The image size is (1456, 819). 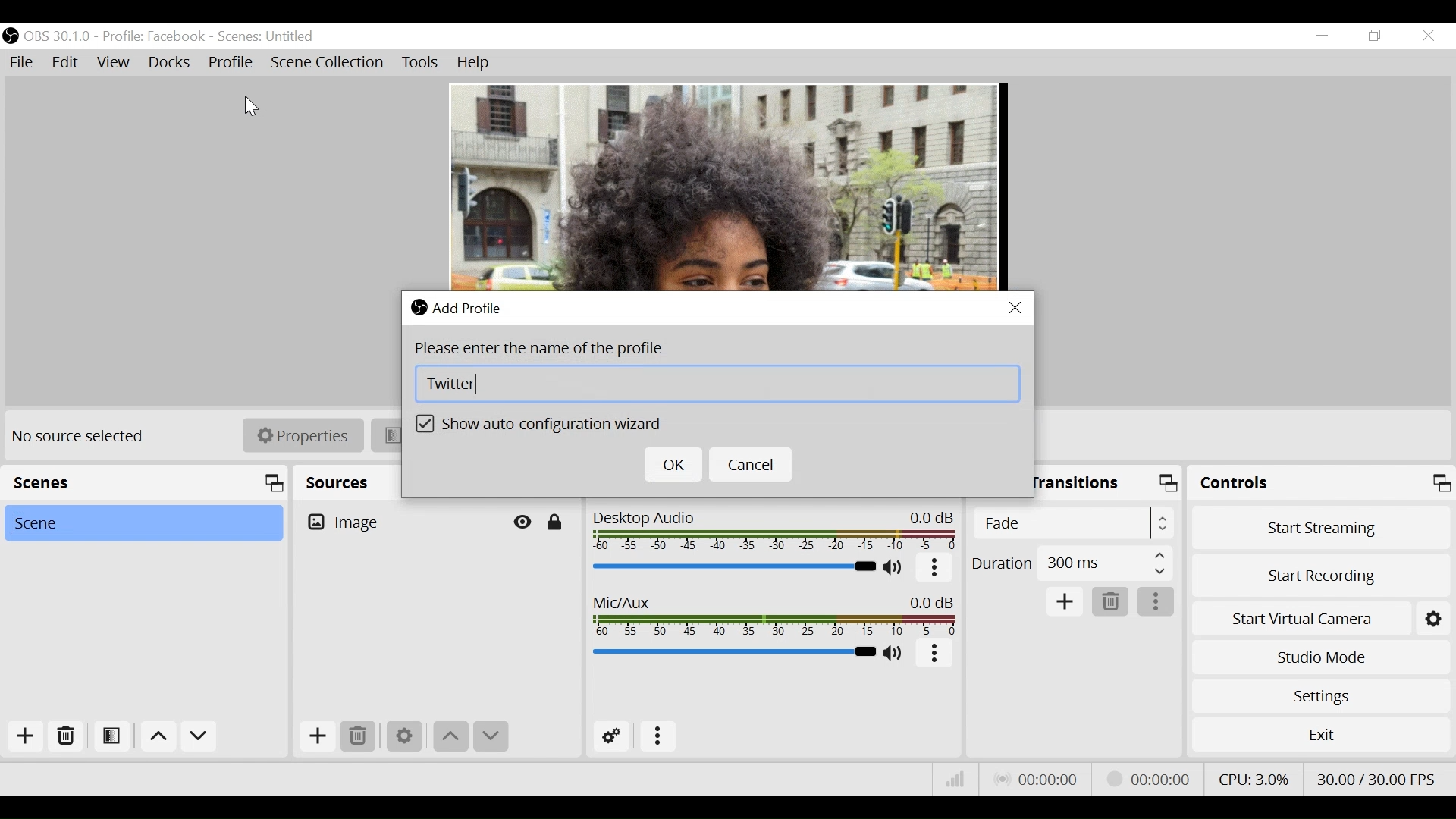 What do you see at coordinates (491, 736) in the screenshot?
I see `Move down` at bounding box center [491, 736].